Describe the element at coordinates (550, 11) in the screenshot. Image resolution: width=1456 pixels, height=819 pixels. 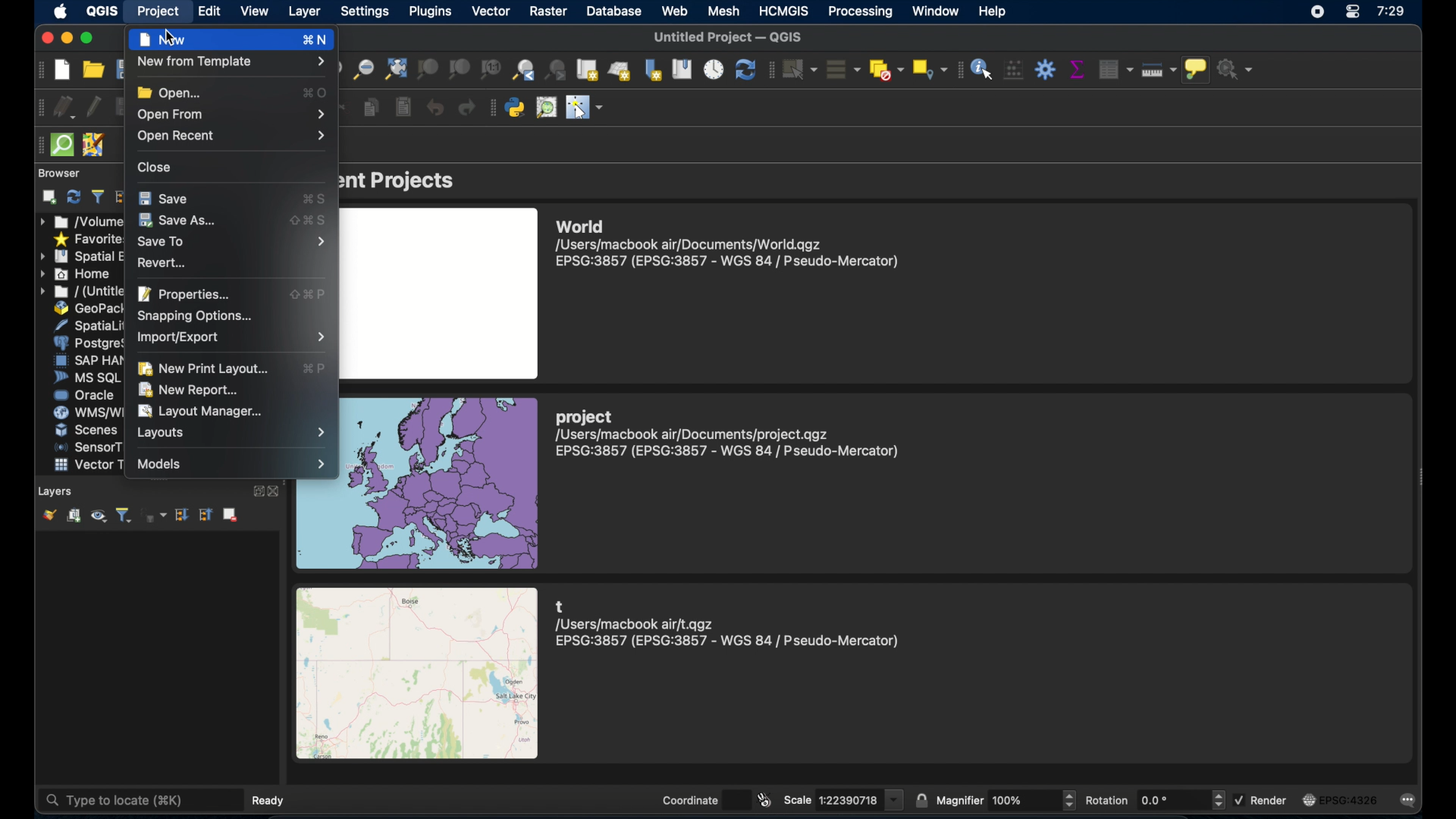
I see `raster` at that location.